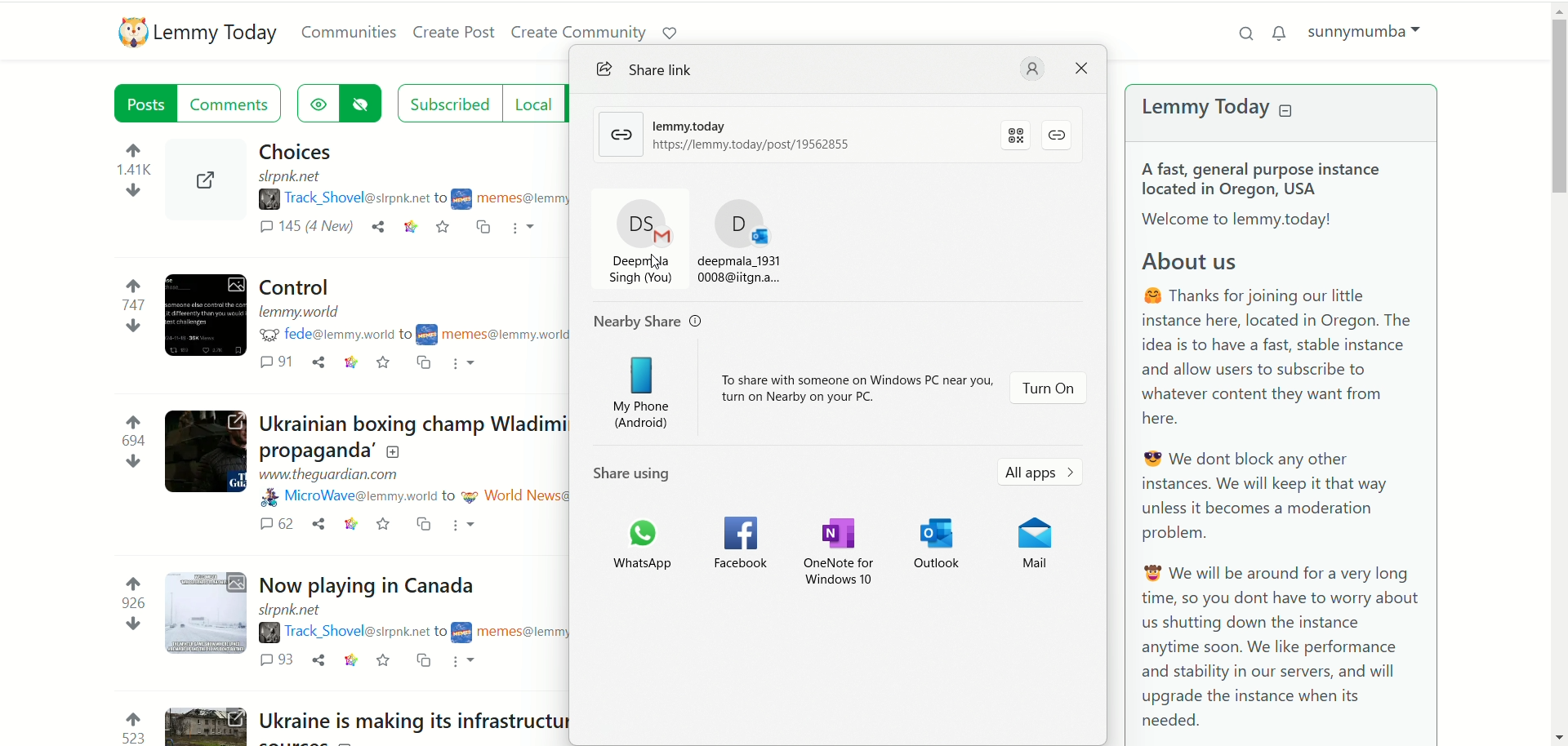  I want to click on URL, so click(292, 175).